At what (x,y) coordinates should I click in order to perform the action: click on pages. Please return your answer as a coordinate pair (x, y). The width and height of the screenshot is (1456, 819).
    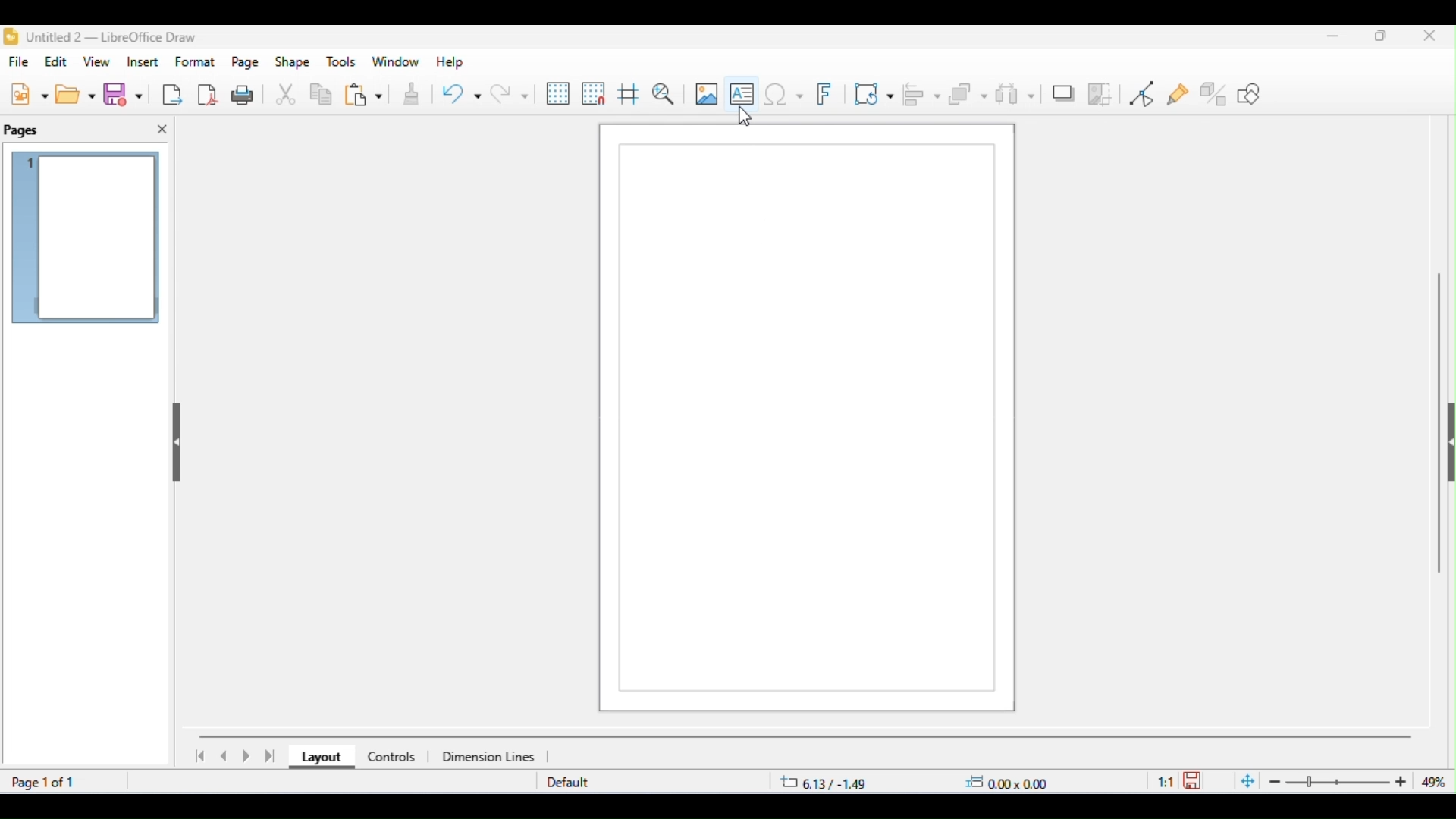
    Looking at the image, I should click on (23, 131).